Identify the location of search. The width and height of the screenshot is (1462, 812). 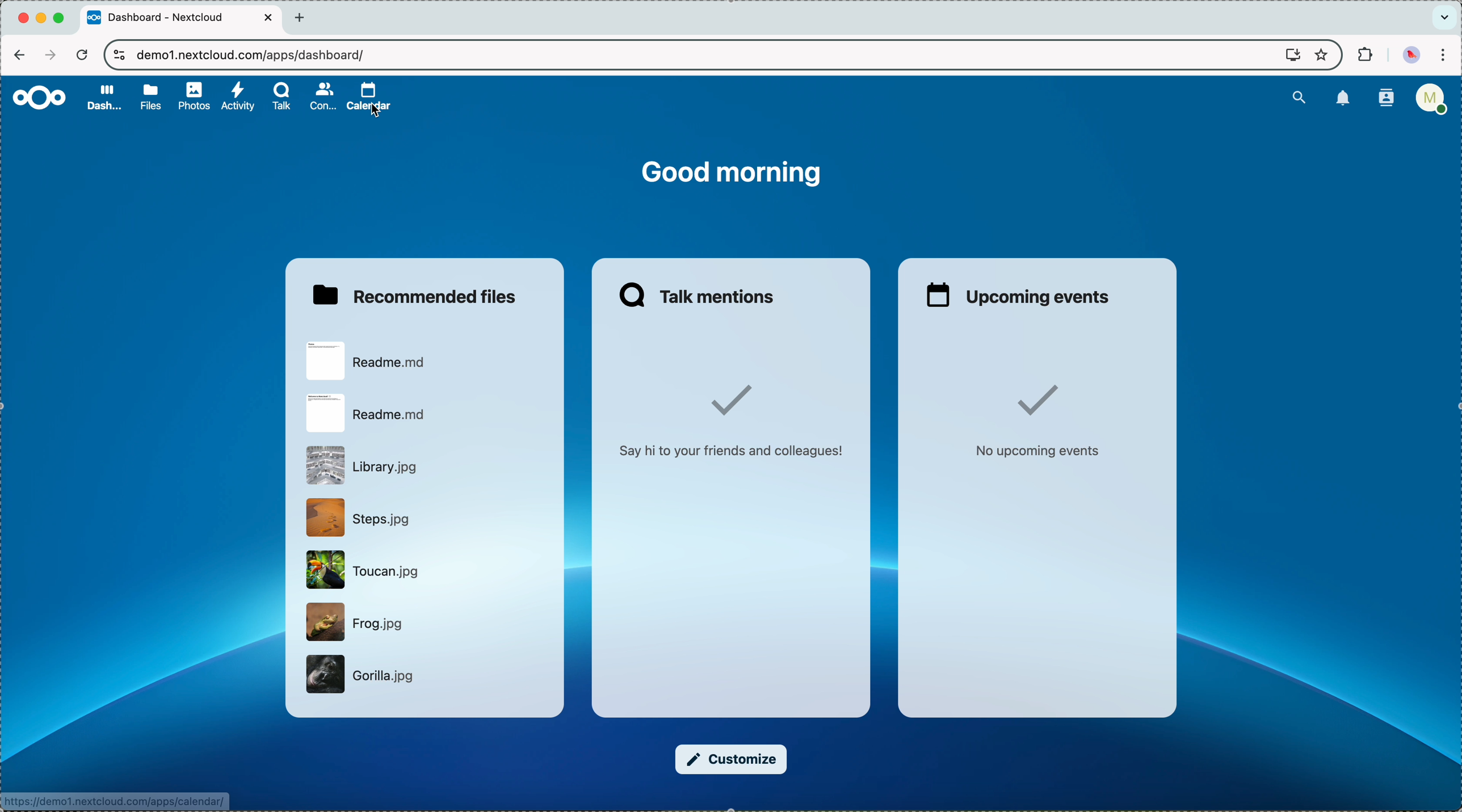
(1299, 96).